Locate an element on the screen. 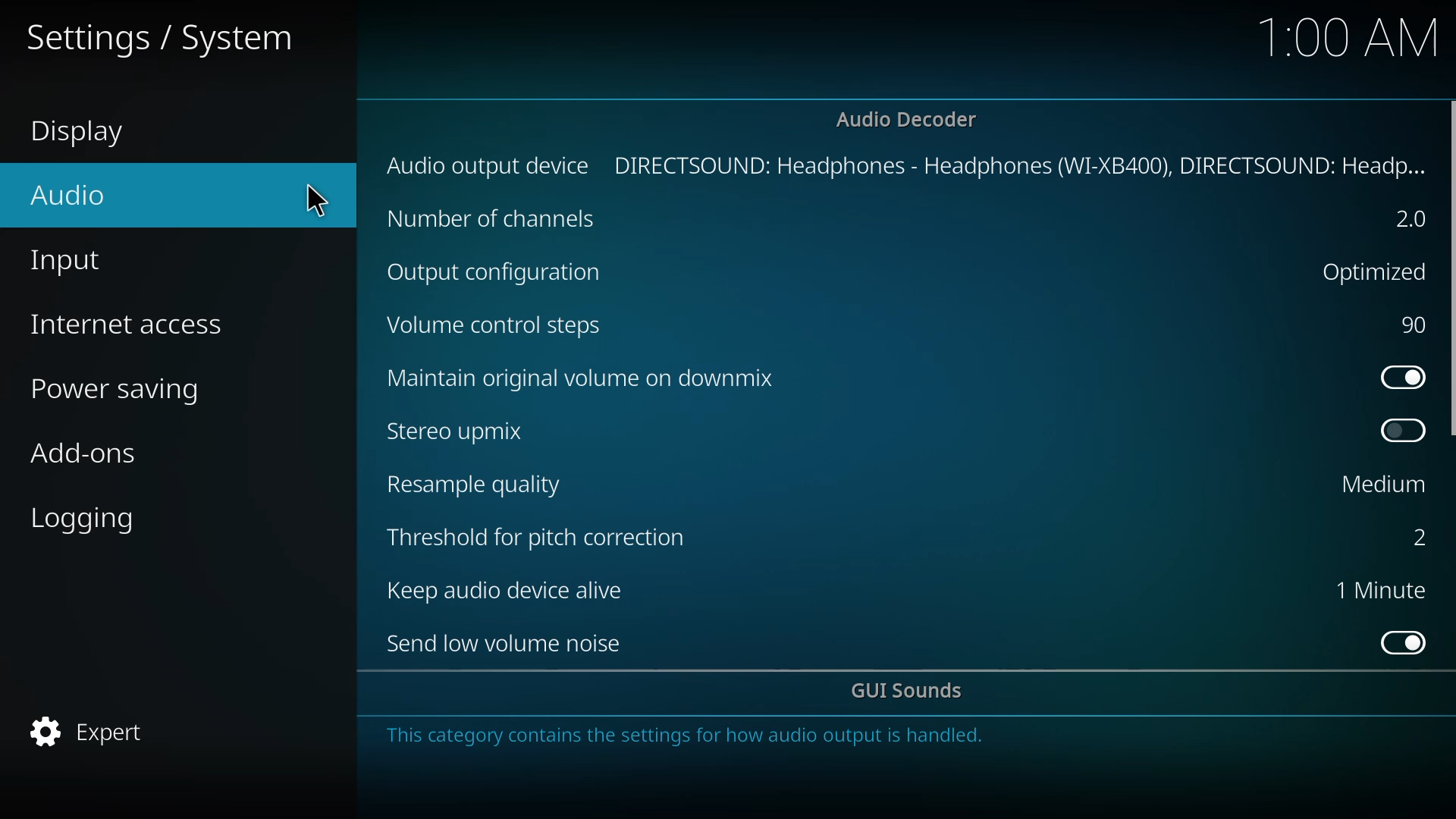 Image resolution: width=1456 pixels, height=819 pixels. access is located at coordinates (143, 323).